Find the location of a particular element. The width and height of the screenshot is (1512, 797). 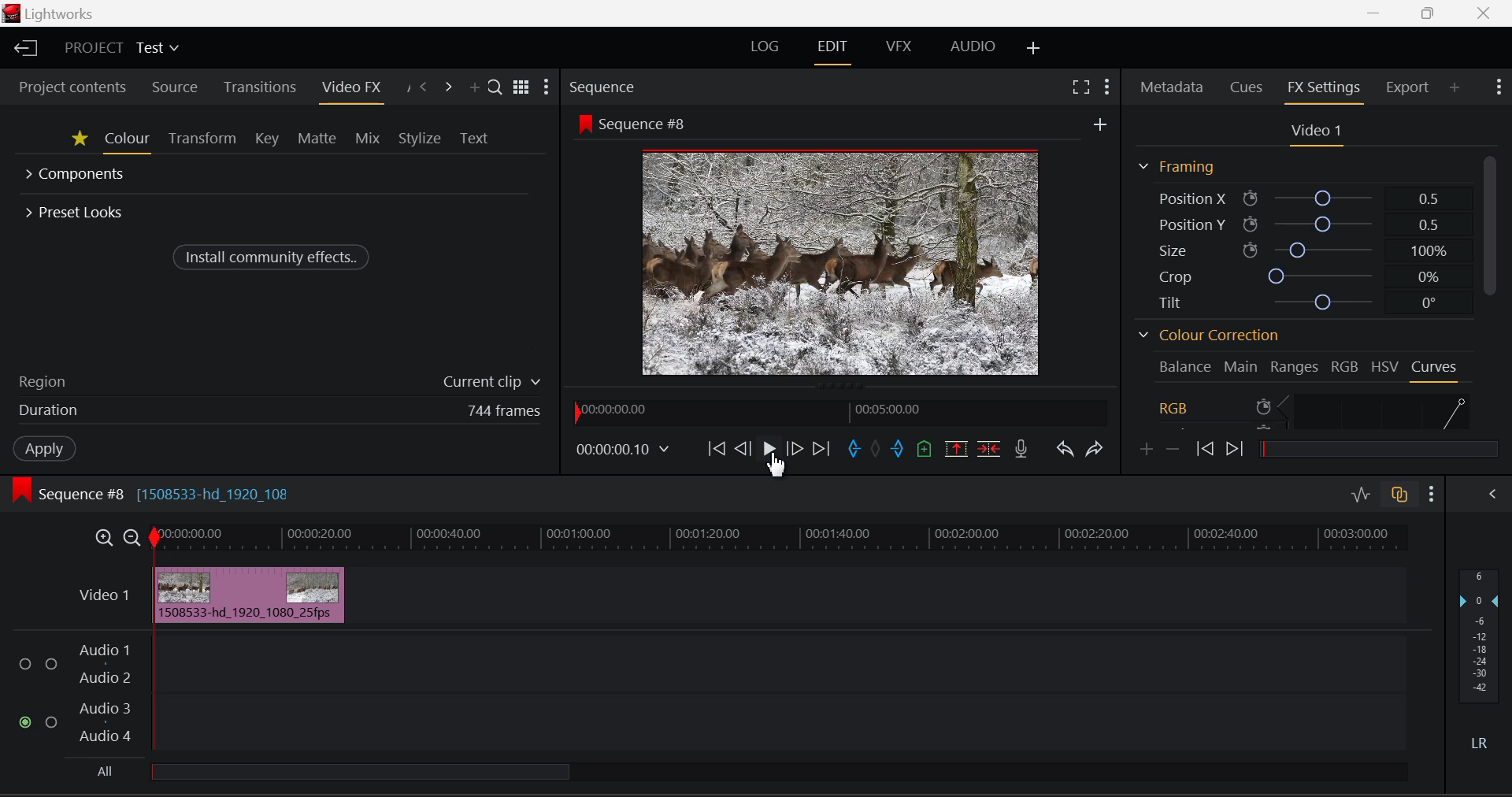

Colour Correction is located at coordinates (1206, 335).